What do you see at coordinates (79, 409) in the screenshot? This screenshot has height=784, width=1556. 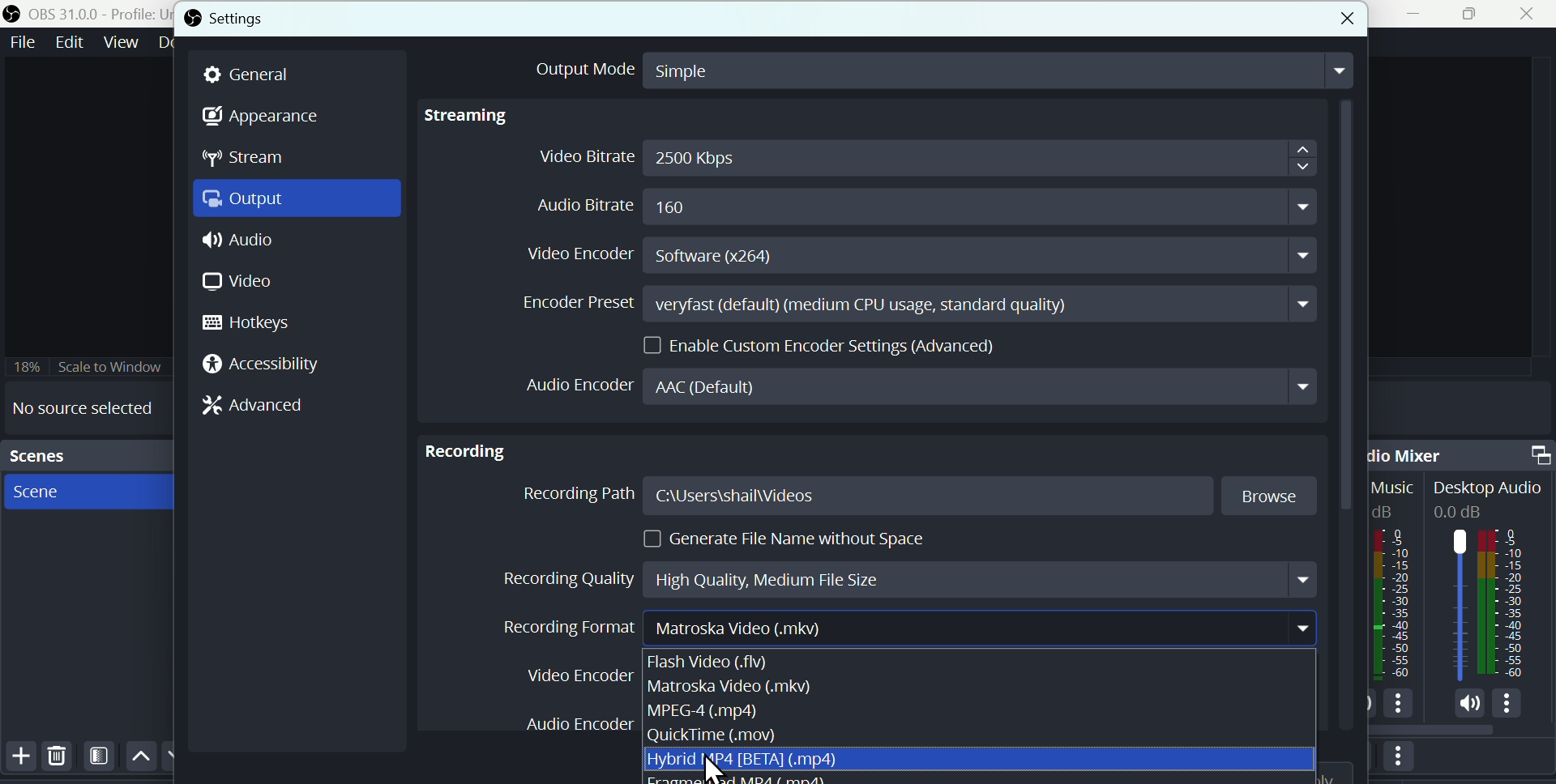 I see `No source selected` at bounding box center [79, 409].